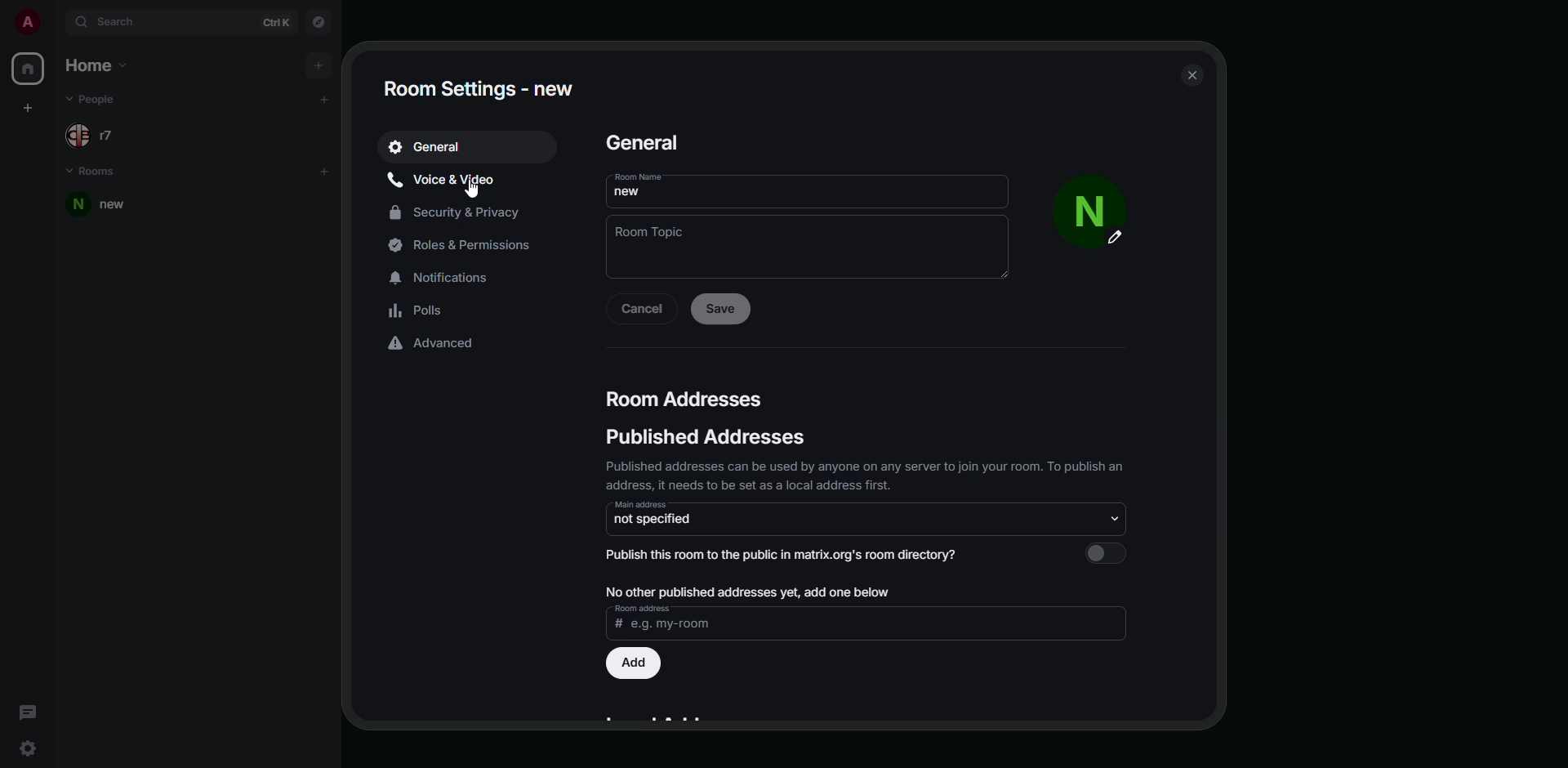  Describe the element at coordinates (99, 134) in the screenshot. I see `people` at that location.